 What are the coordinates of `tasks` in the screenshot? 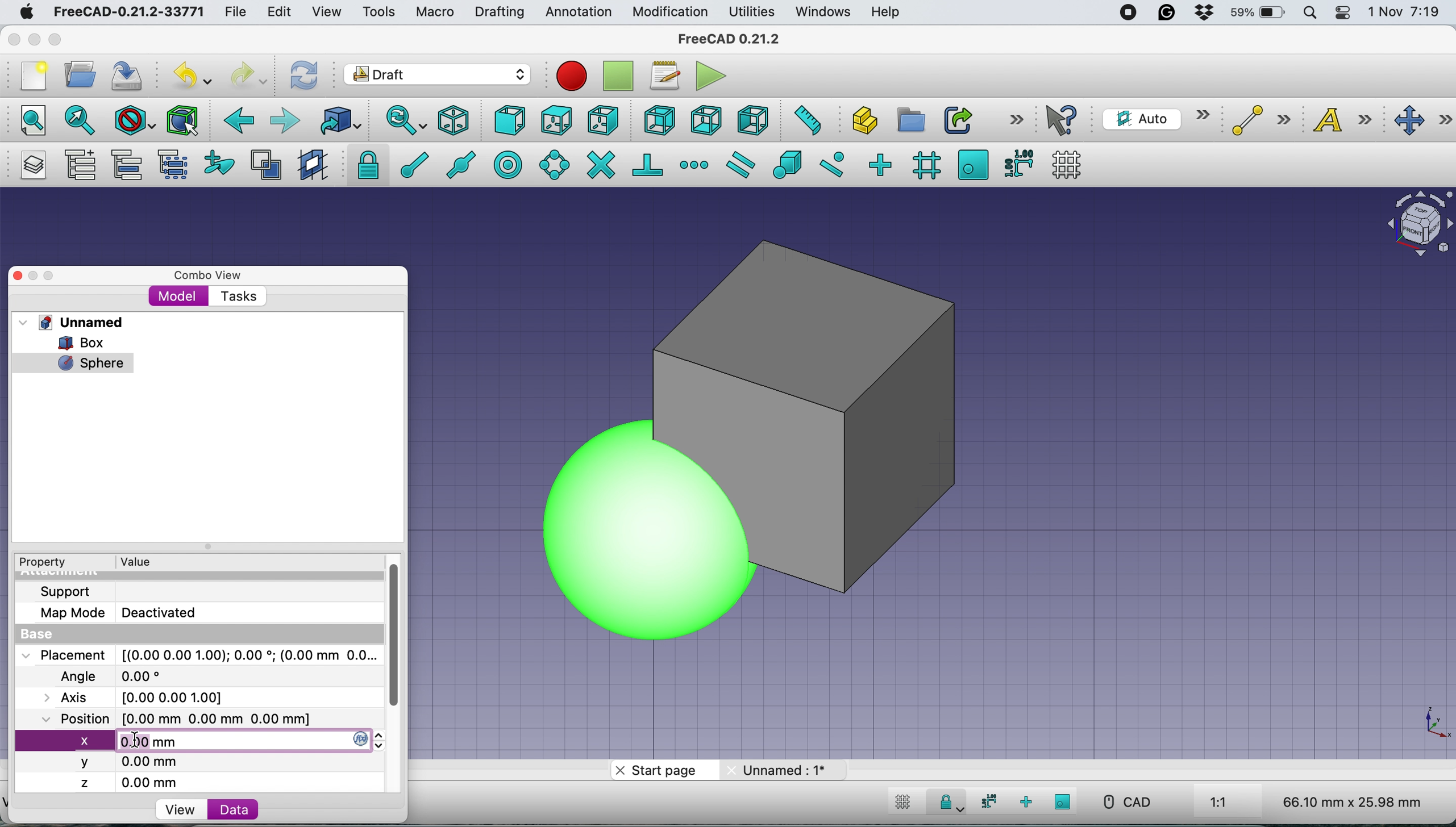 It's located at (237, 297).